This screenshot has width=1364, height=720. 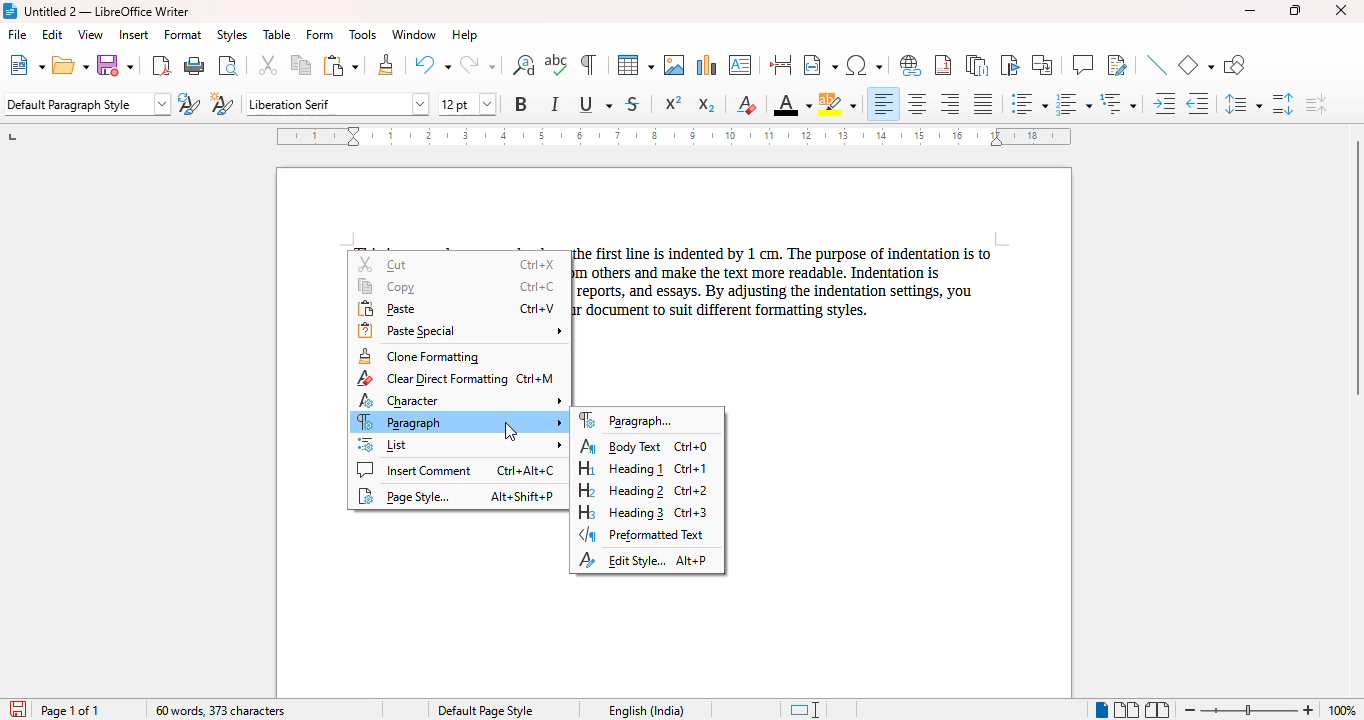 I want to click on insert endnote, so click(x=977, y=65).